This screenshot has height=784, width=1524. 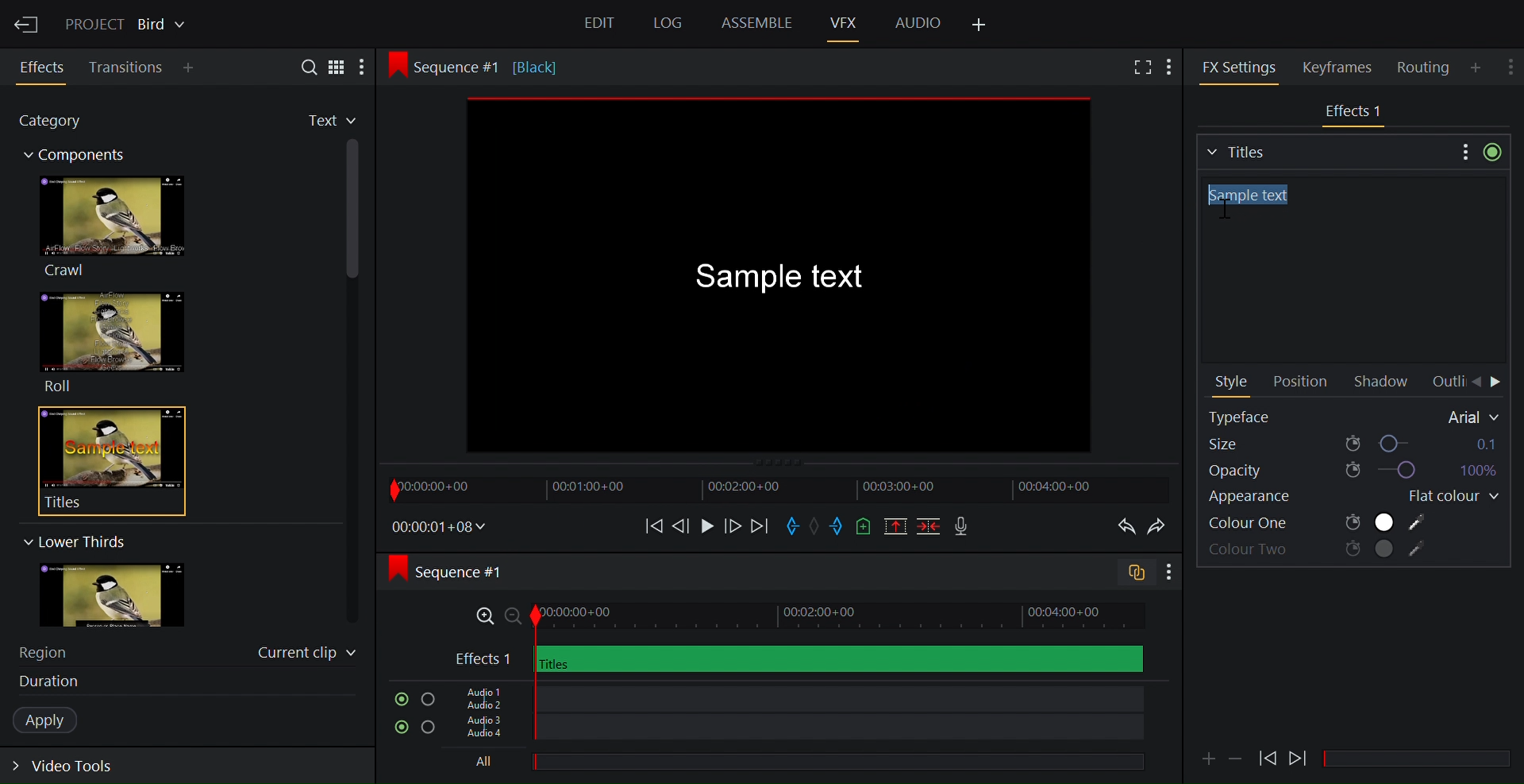 What do you see at coordinates (963, 527) in the screenshot?
I see `Record voice over` at bounding box center [963, 527].